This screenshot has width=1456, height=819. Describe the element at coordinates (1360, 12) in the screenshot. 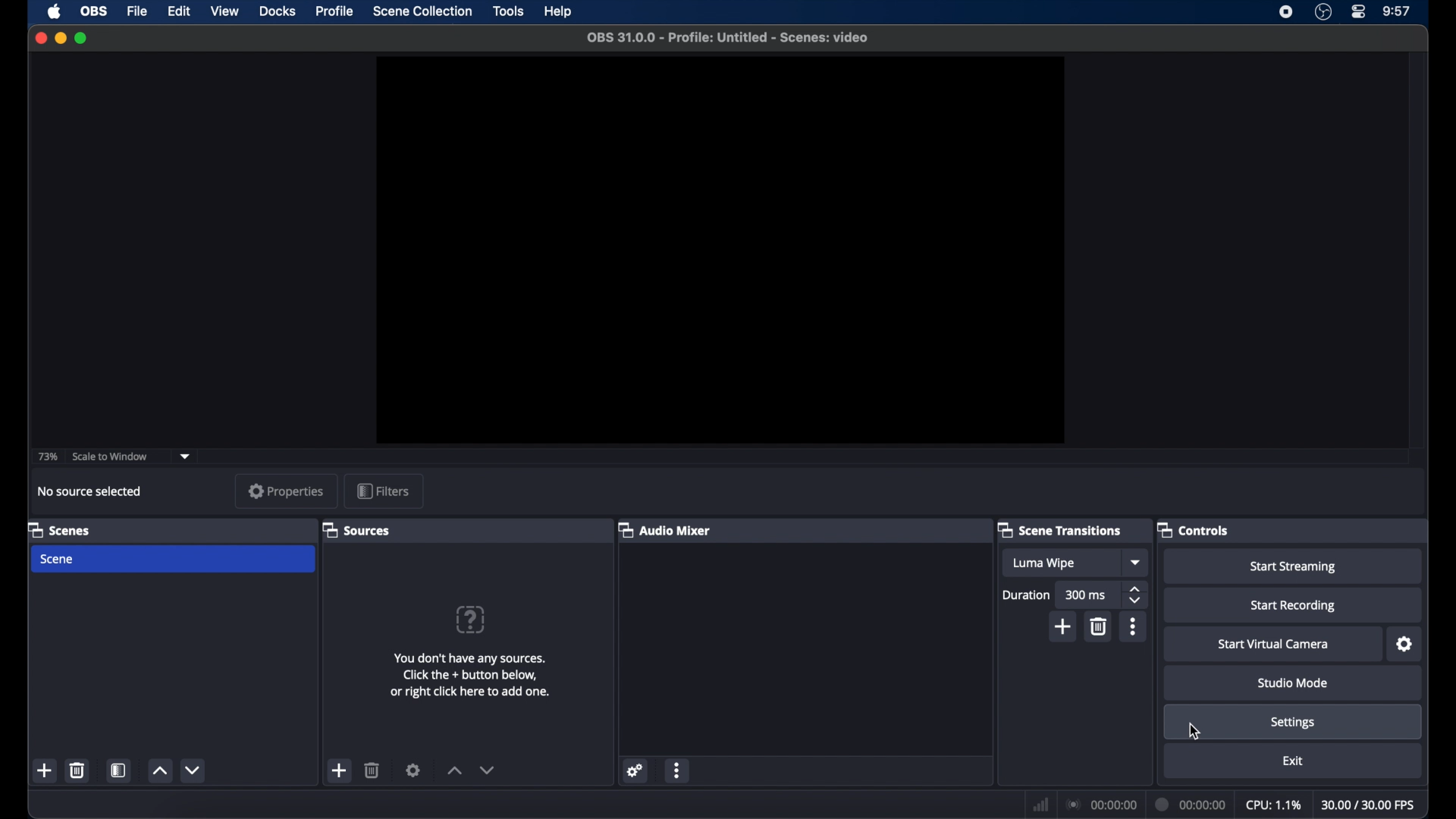

I see `control center` at that location.